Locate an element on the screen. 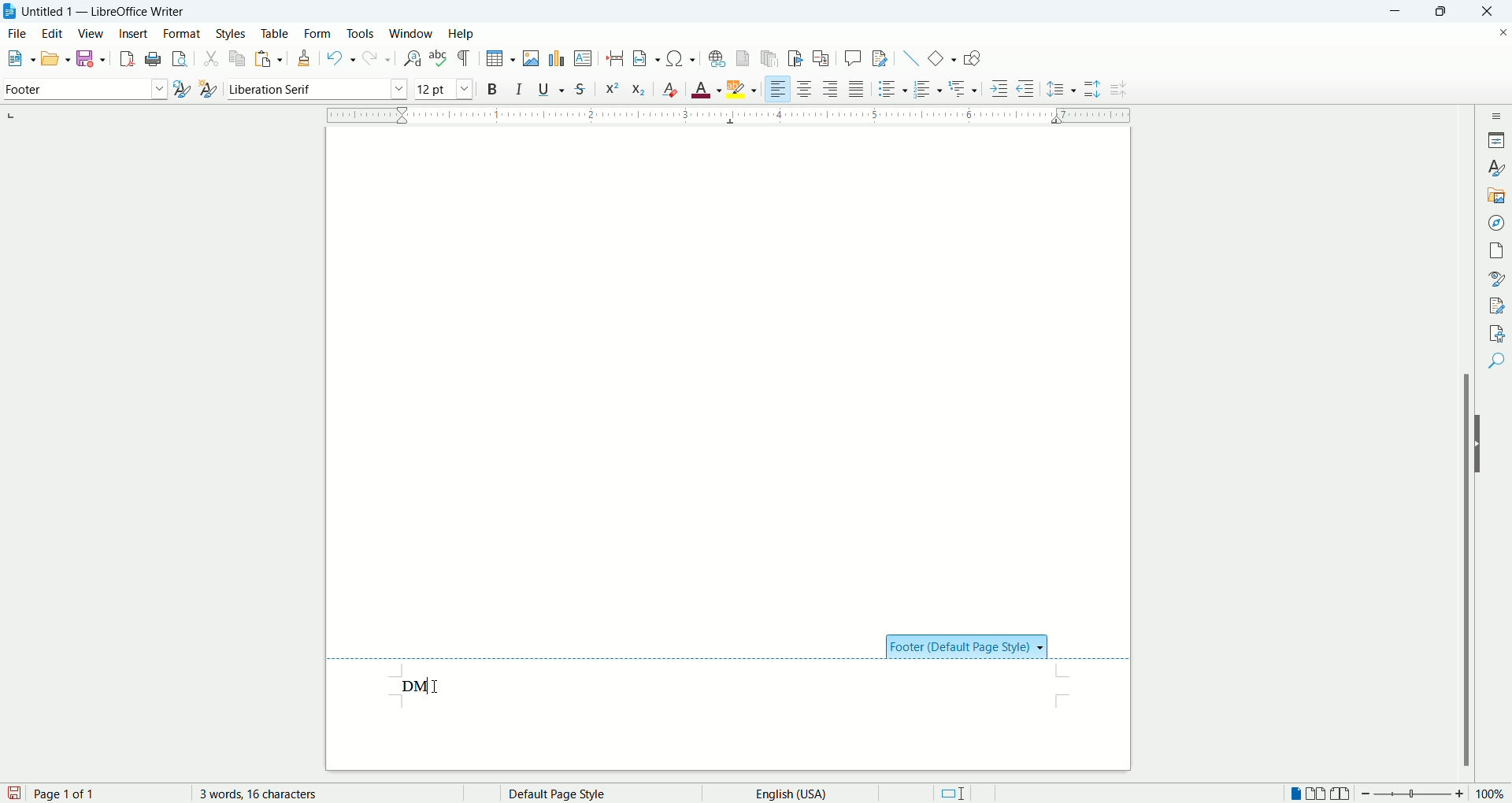  undo is located at coordinates (341, 58).